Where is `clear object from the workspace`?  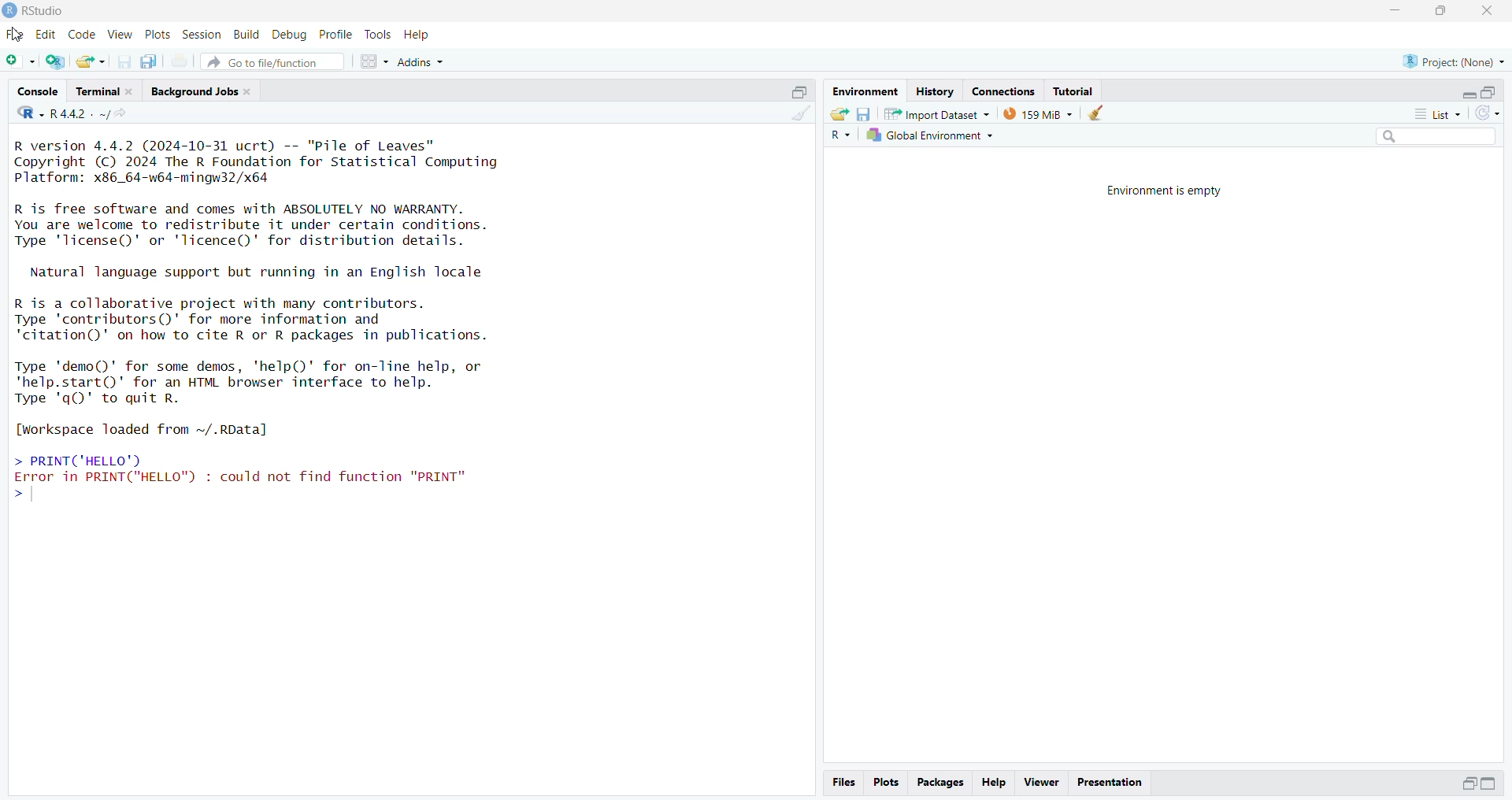
clear object from the workspace is located at coordinates (1099, 113).